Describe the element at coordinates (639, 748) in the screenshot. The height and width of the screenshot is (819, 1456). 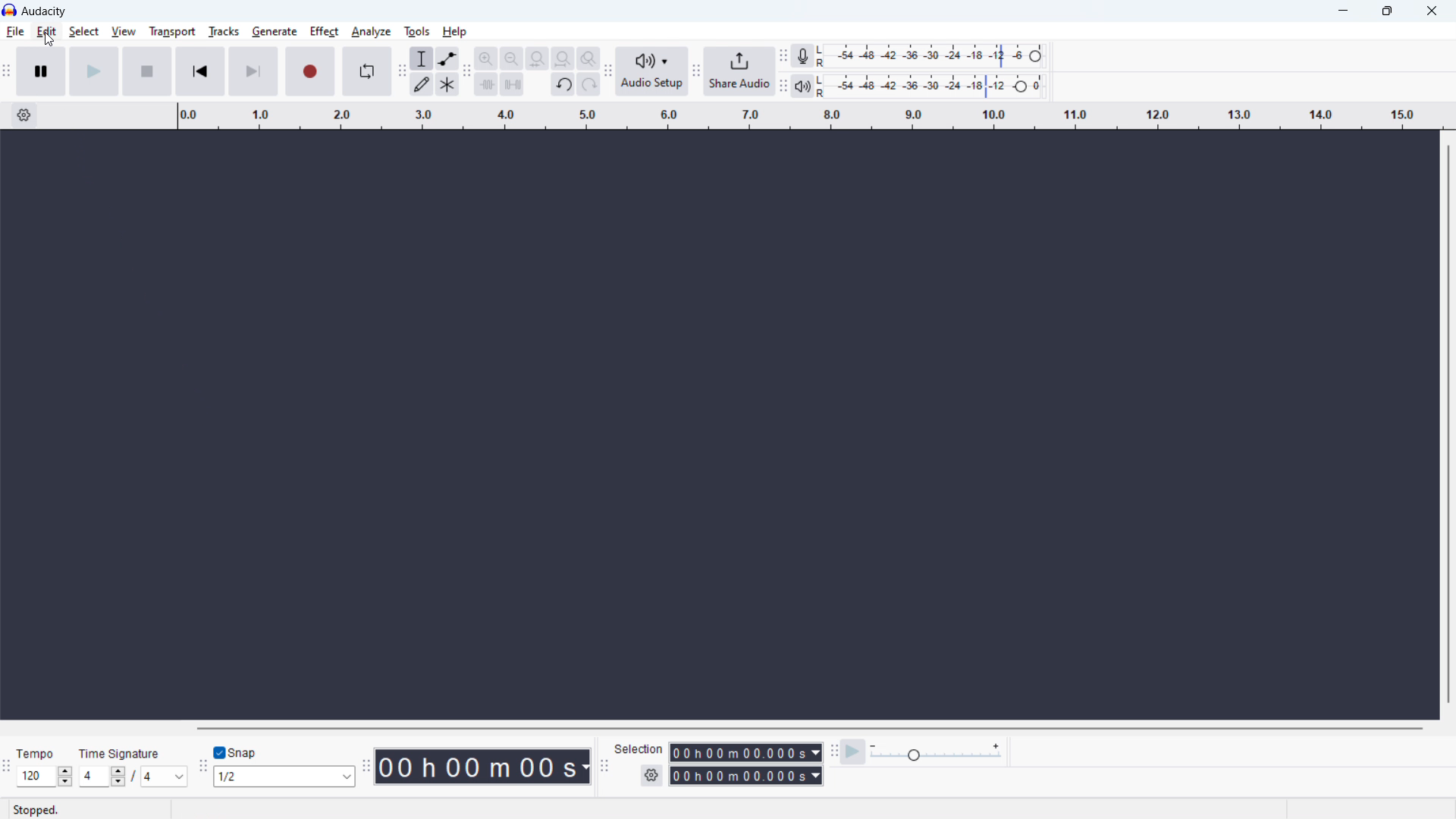
I see `Indicates section for duration of selection` at that location.